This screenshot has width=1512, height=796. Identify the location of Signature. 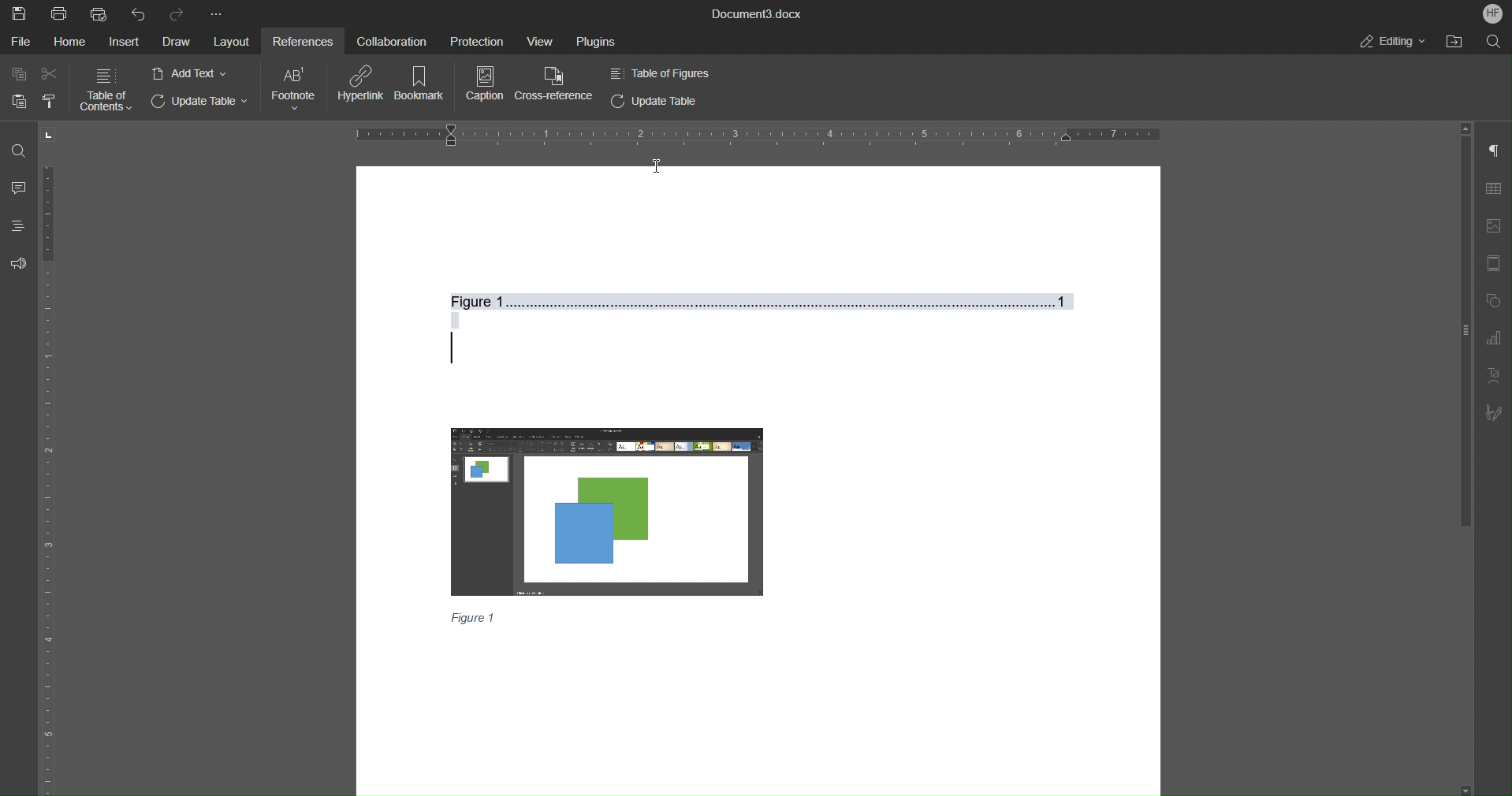
(1495, 415).